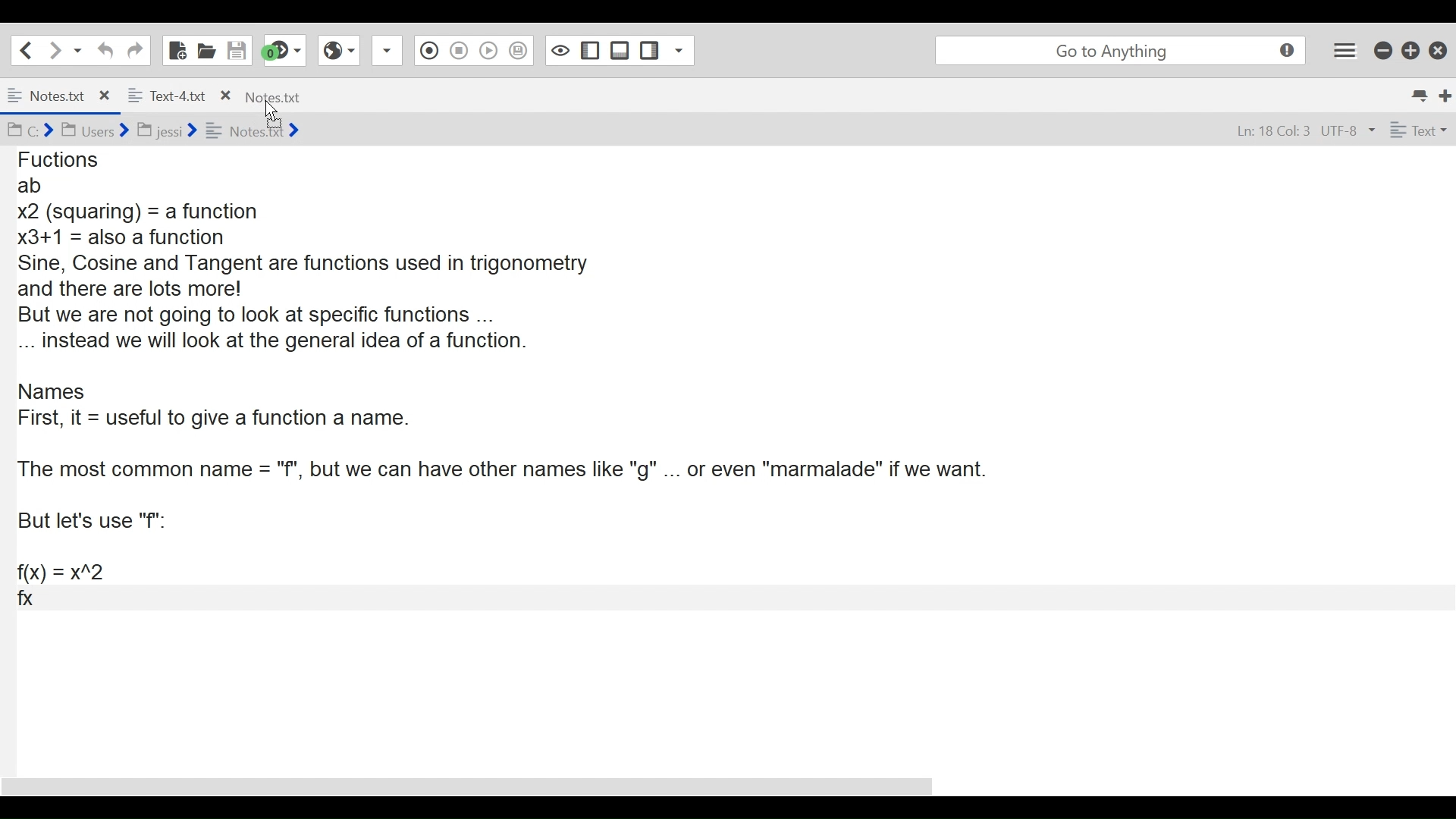 Image resolution: width=1456 pixels, height=819 pixels. Describe the element at coordinates (78, 49) in the screenshot. I see `Recent LOcations` at that location.